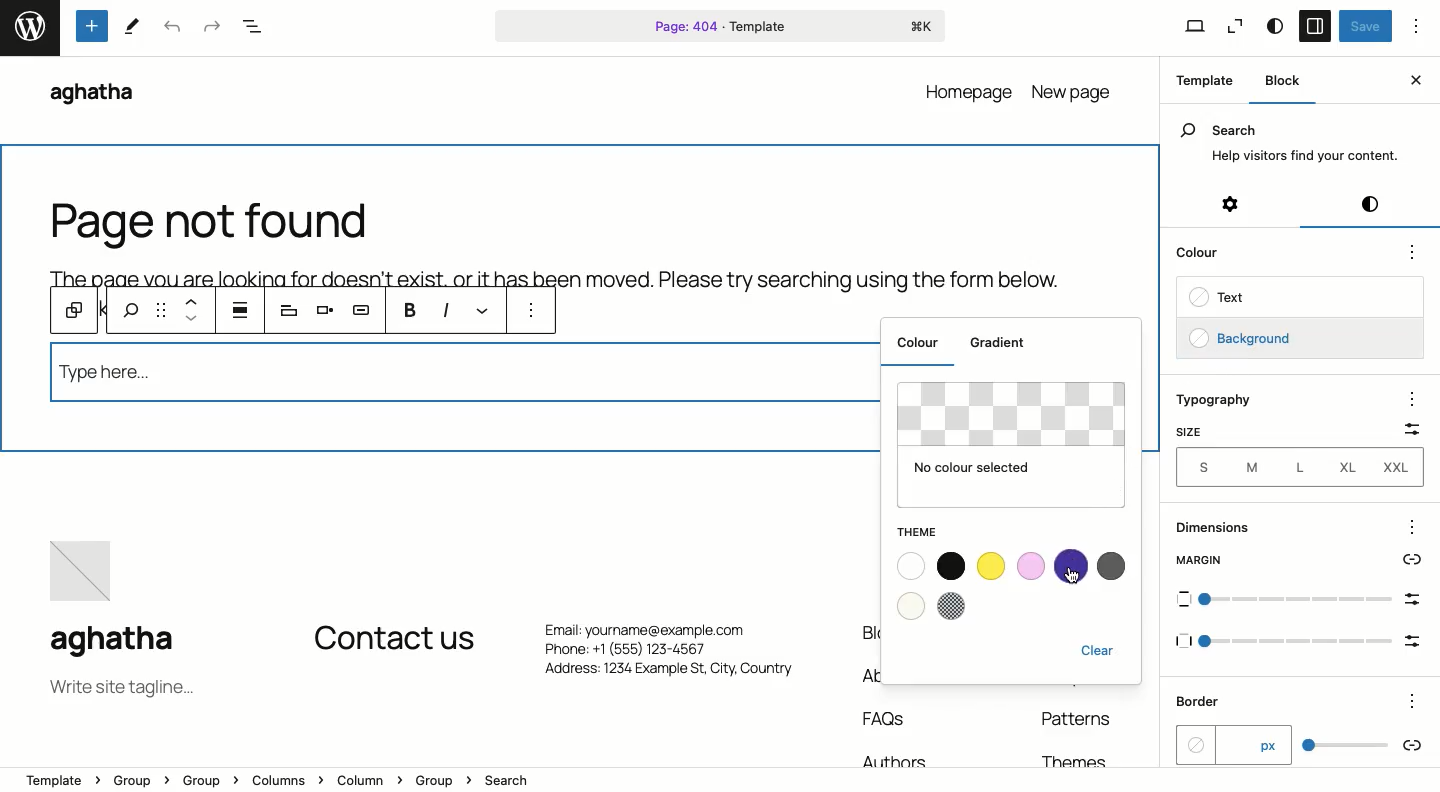 This screenshot has height=792, width=1440. Describe the element at coordinates (93, 25) in the screenshot. I see `Tools` at that location.